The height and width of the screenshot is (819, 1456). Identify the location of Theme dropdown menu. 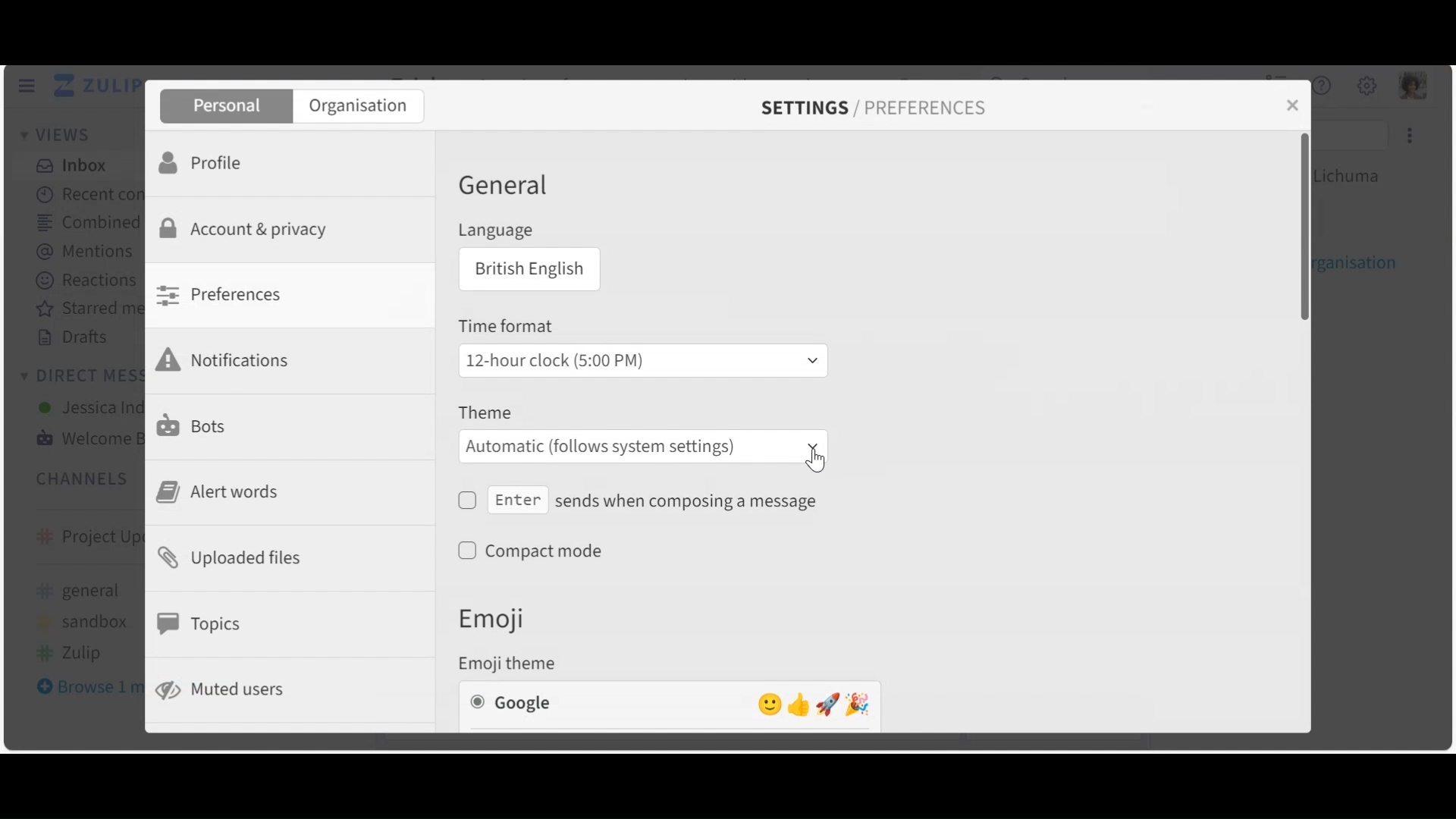
(642, 447).